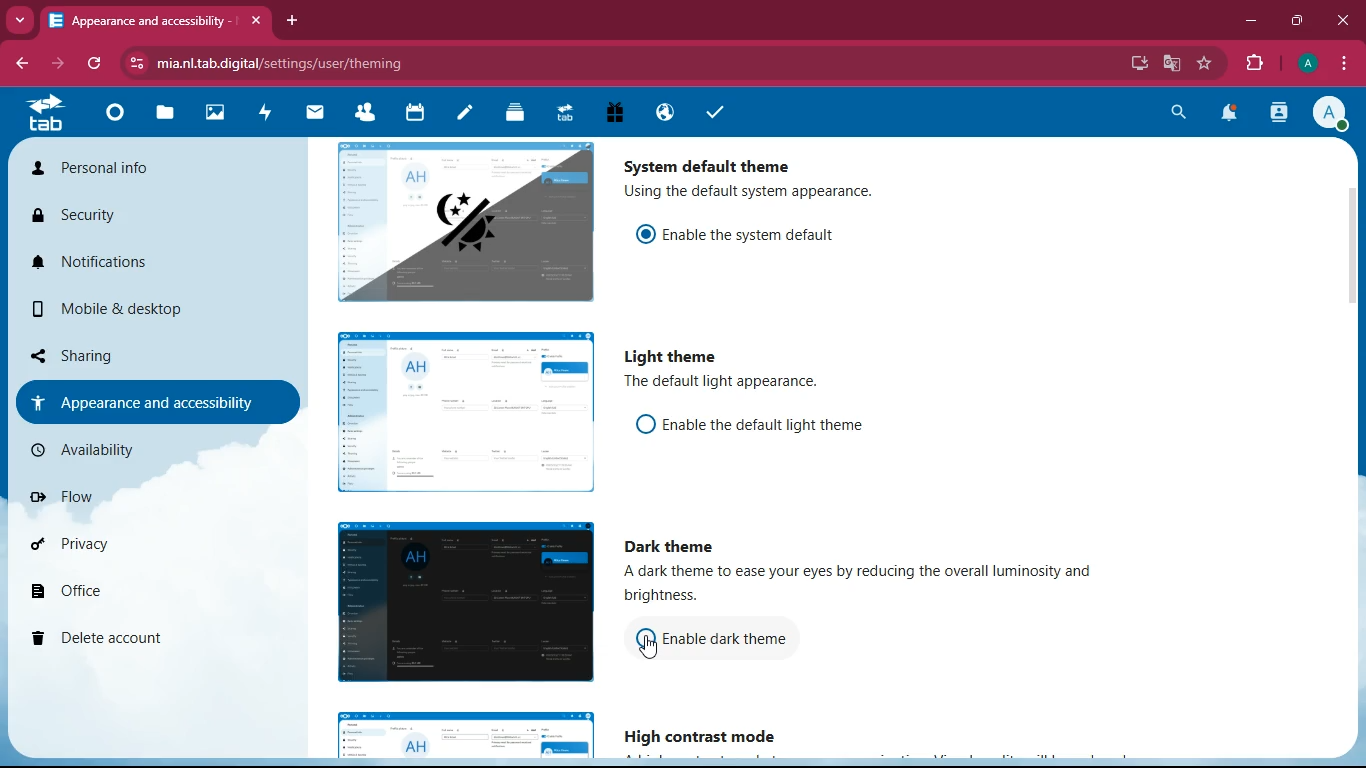 This screenshot has height=768, width=1366. What do you see at coordinates (515, 115) in the screenshot?
I see `layers` at bounding box center [515, 115].